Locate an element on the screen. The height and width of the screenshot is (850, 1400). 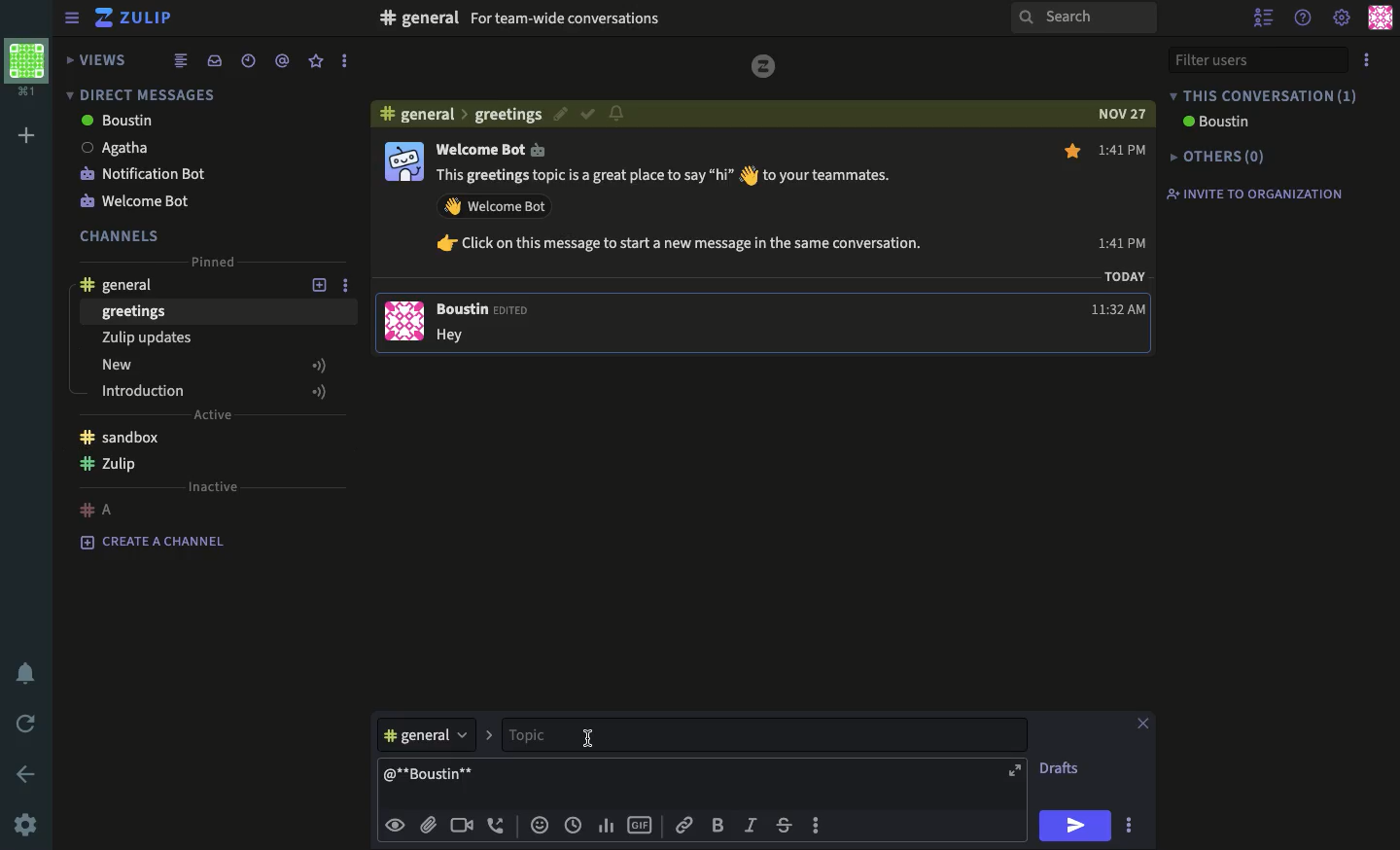
edit is located at coordinates (557, 114).